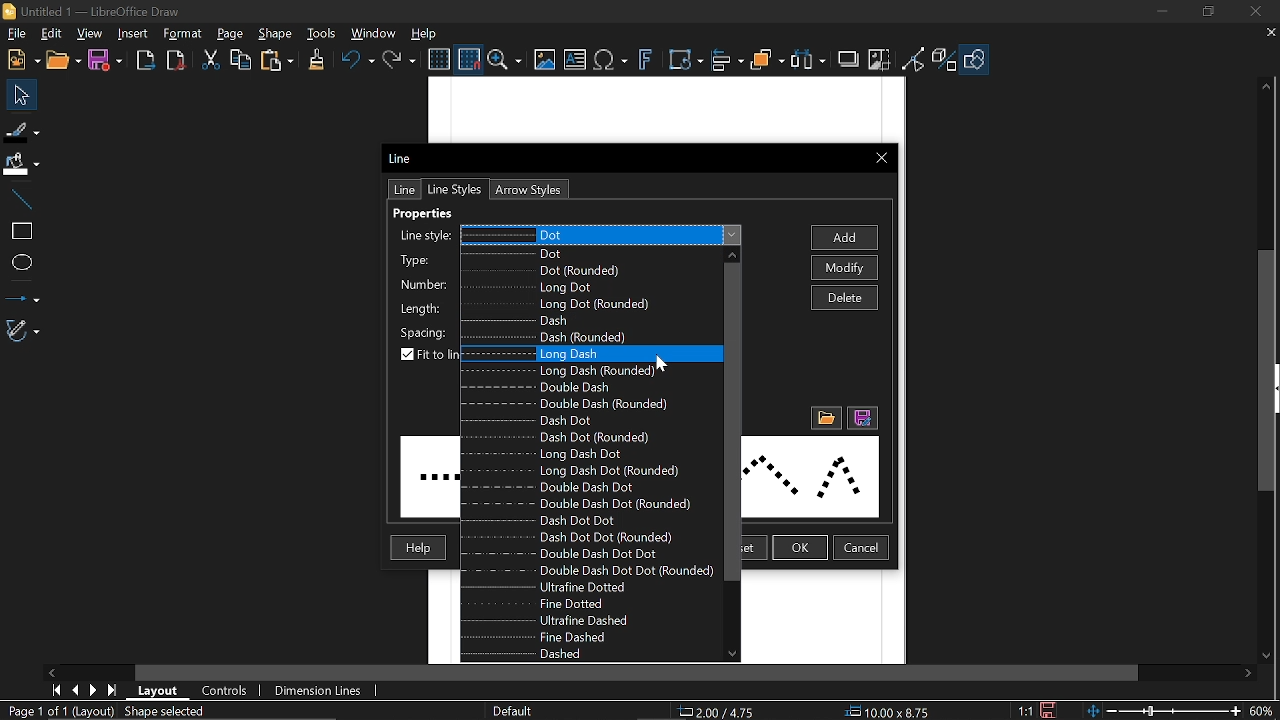 The image size is (1280, 720). Describe the element at coordinates (416, 548) in the screenshot. I see `Help` at that location.